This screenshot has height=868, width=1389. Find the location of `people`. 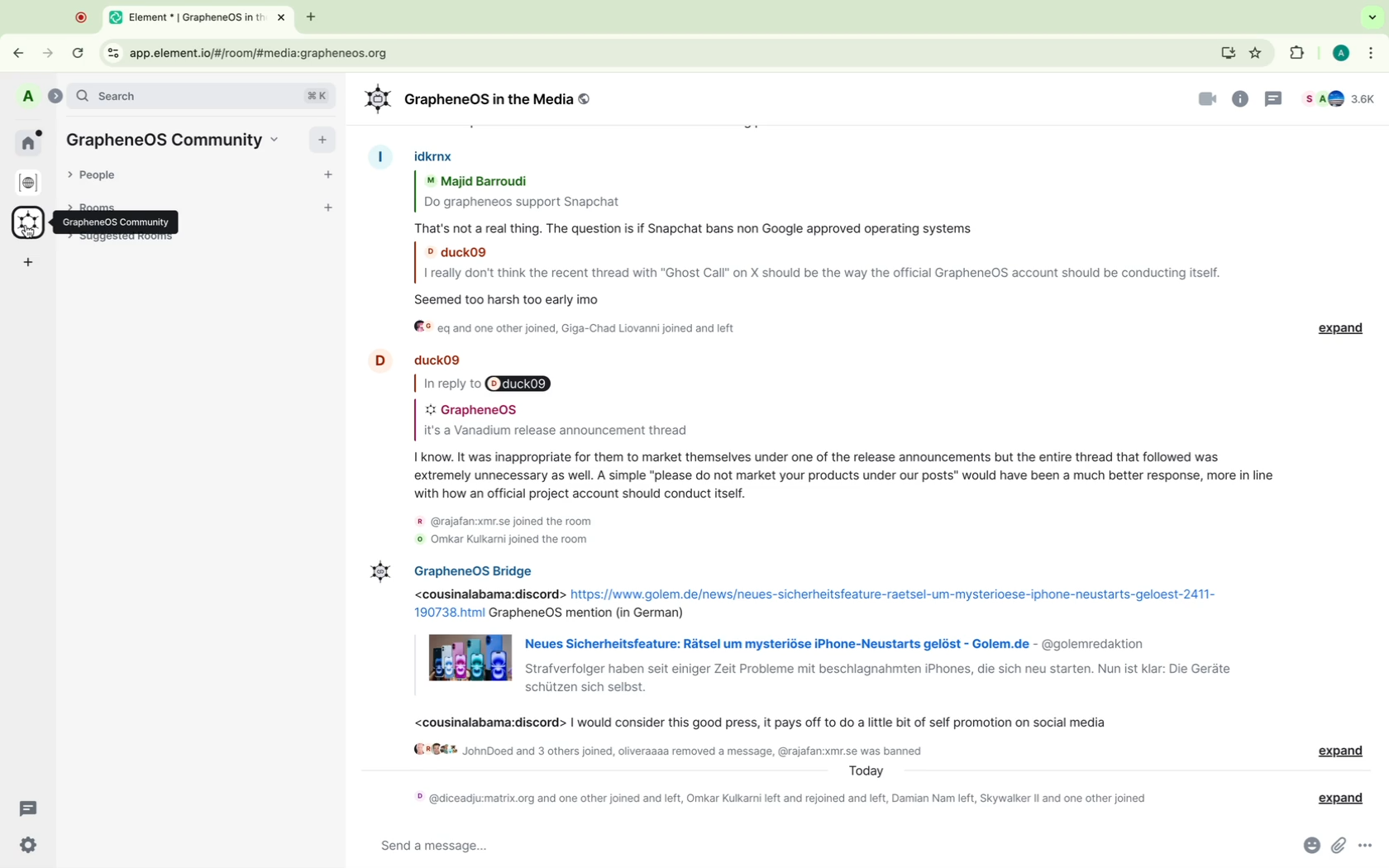

people is located at coordinates (102, 175).